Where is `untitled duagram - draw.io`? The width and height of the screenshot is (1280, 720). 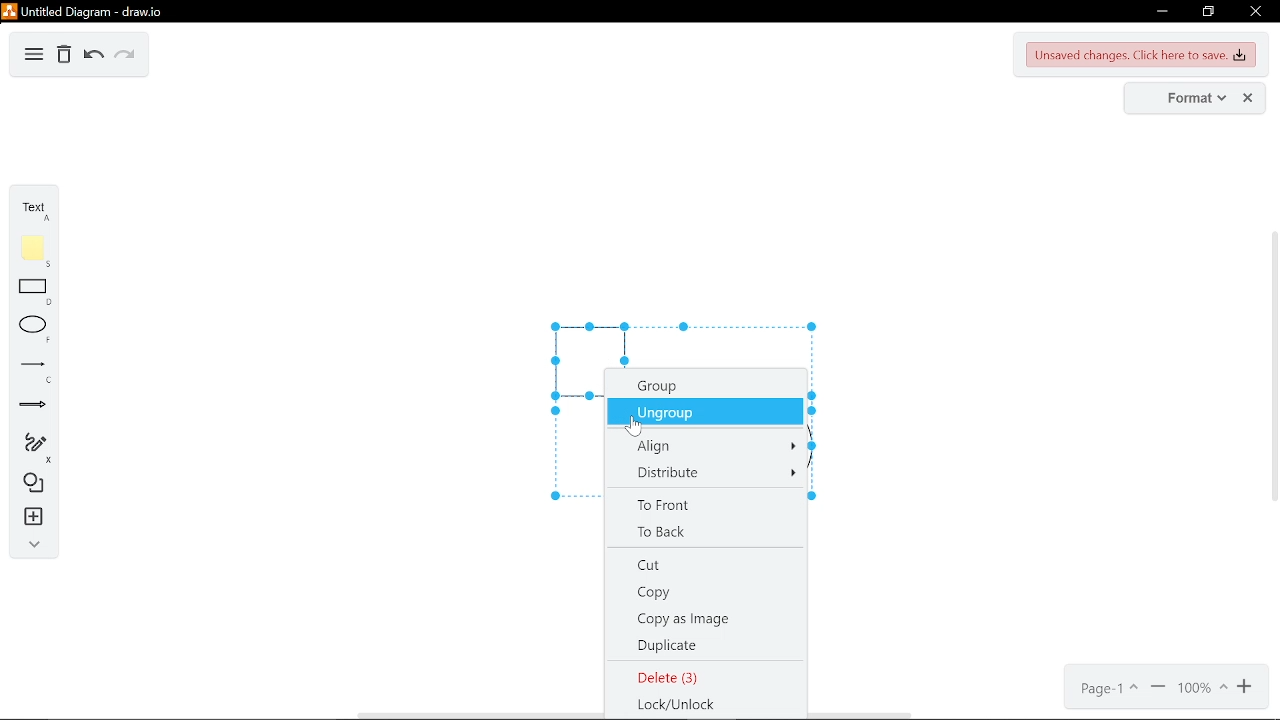 untitled duagram - draw.io is located at coordinates (91, 12).